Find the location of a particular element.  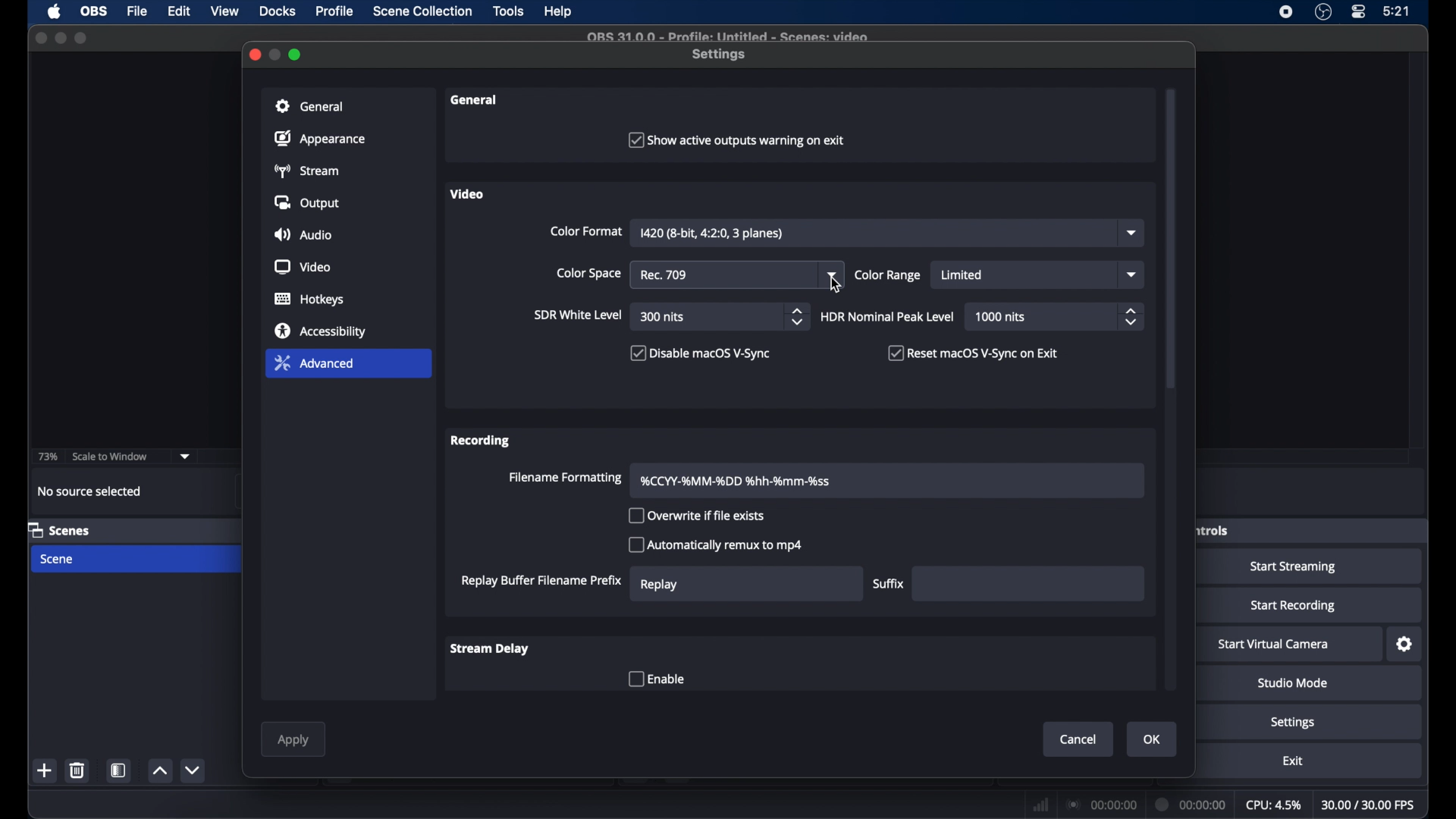

HDR nominal peak level is located at coordinates (887, 316).